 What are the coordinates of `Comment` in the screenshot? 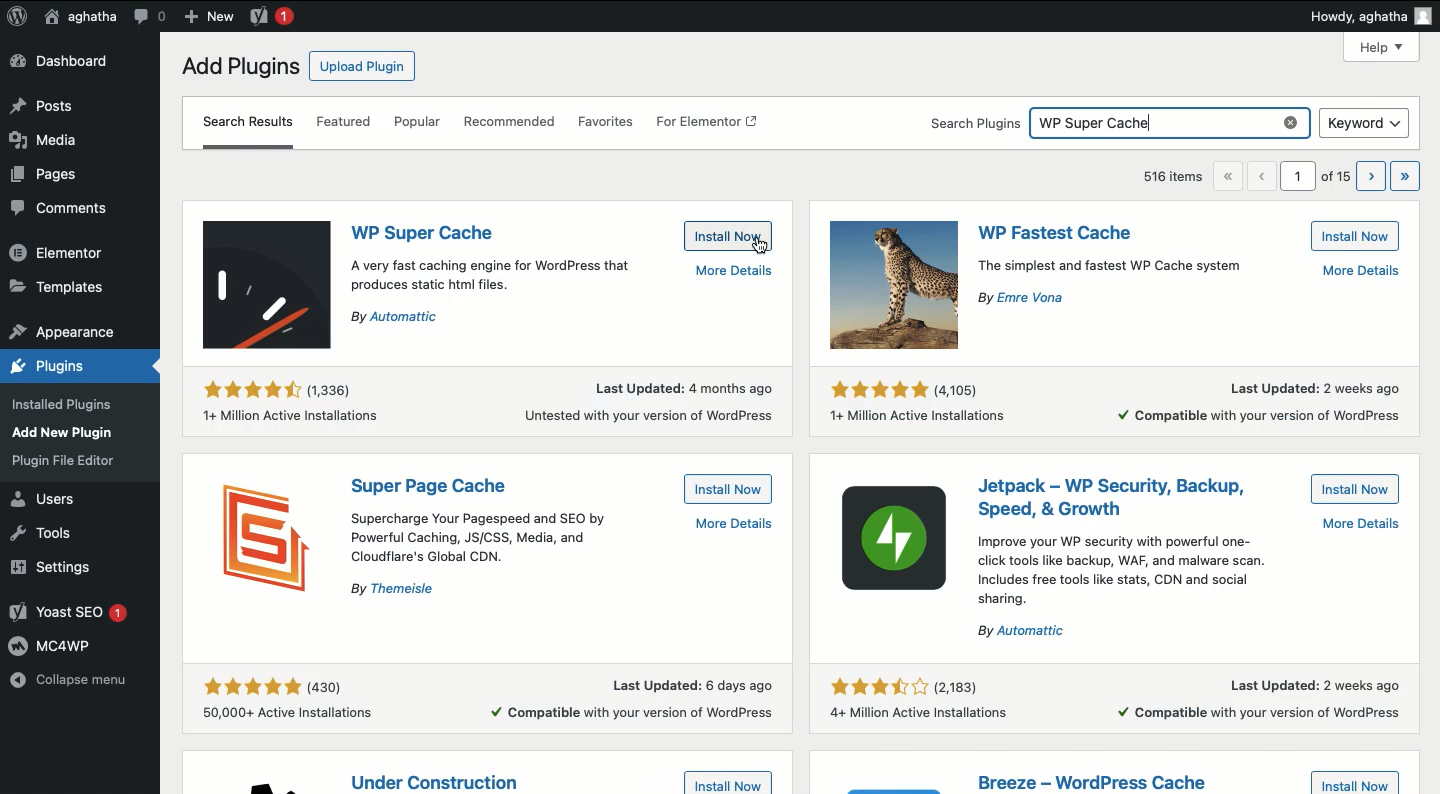 It's located at (150, 15).